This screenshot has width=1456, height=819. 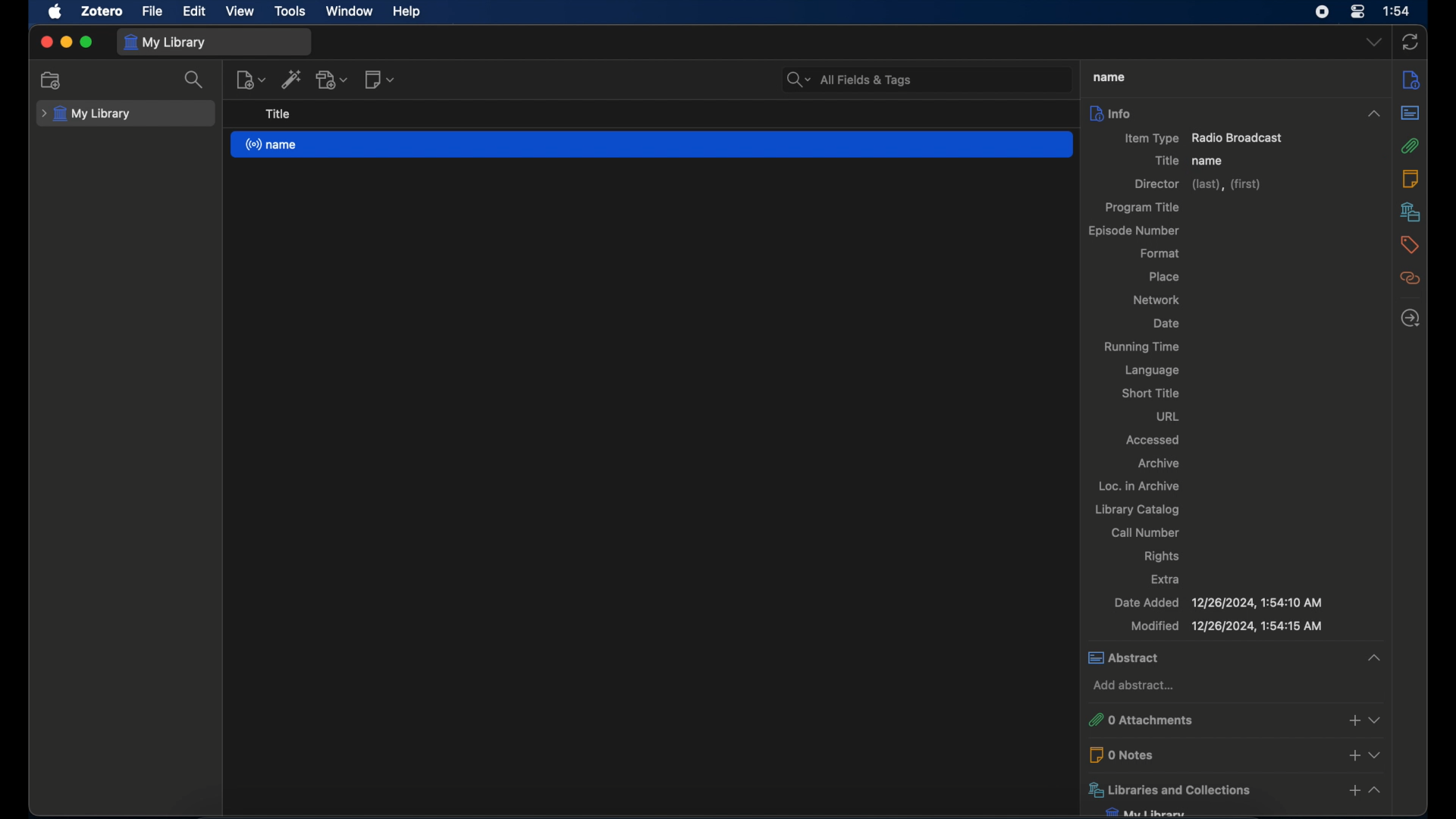 What do you see at coordinates (277, 114) in the screenshot?
I see `title` at bounding box center [277, 114].